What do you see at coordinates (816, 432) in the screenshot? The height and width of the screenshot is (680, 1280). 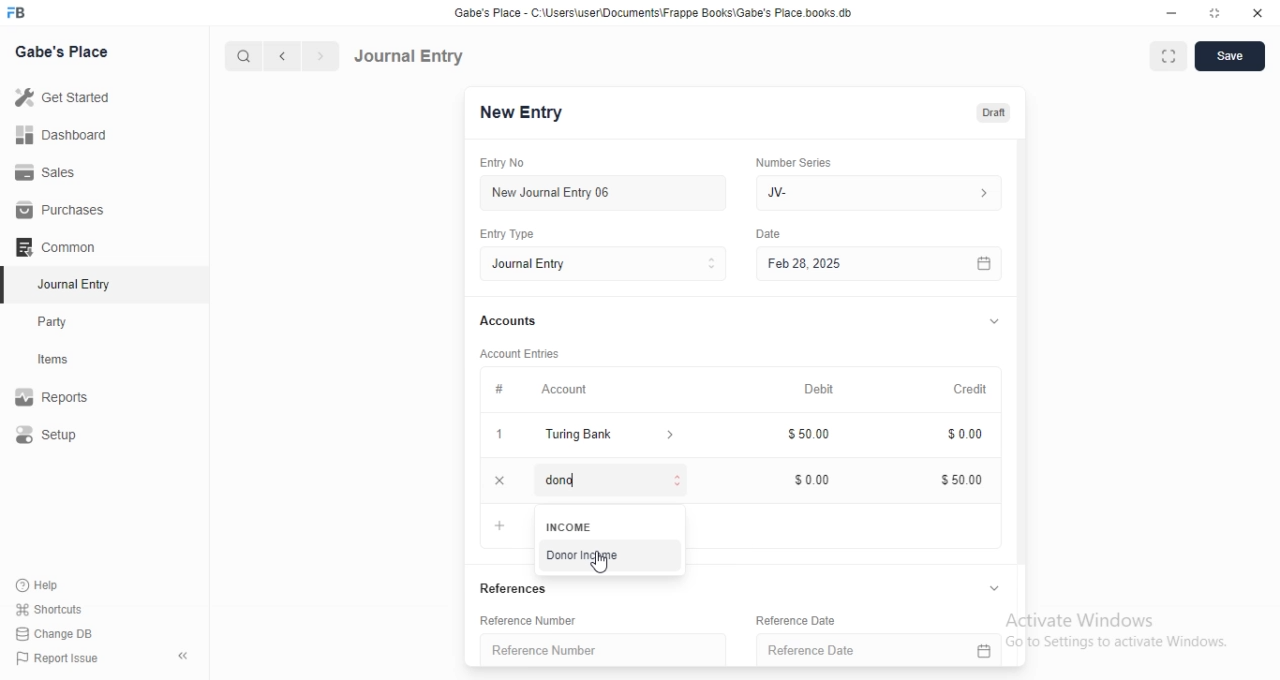 I see `$50.00` at bounding box center [816, 432].